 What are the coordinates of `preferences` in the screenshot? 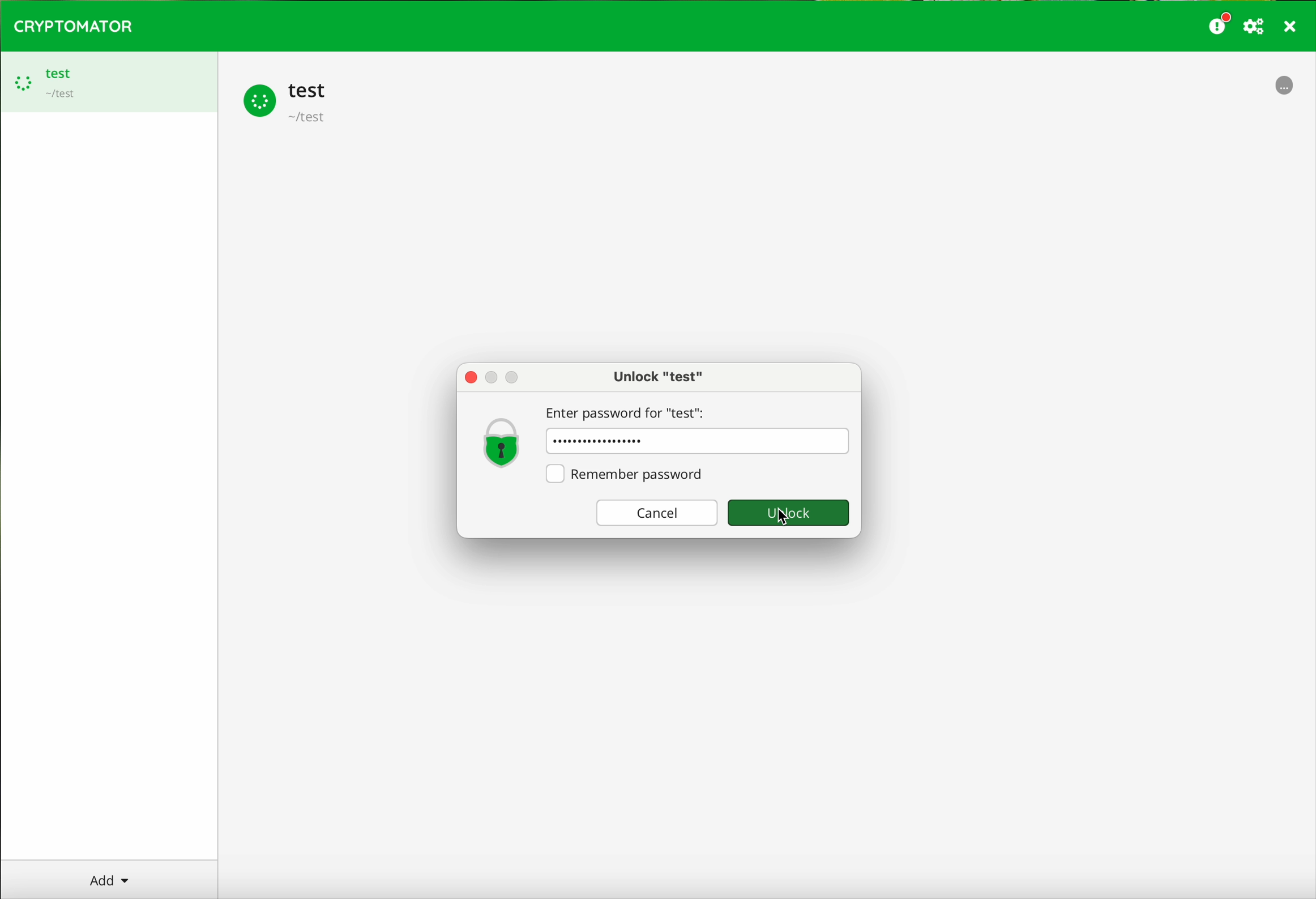 It's located at (1255, 27).